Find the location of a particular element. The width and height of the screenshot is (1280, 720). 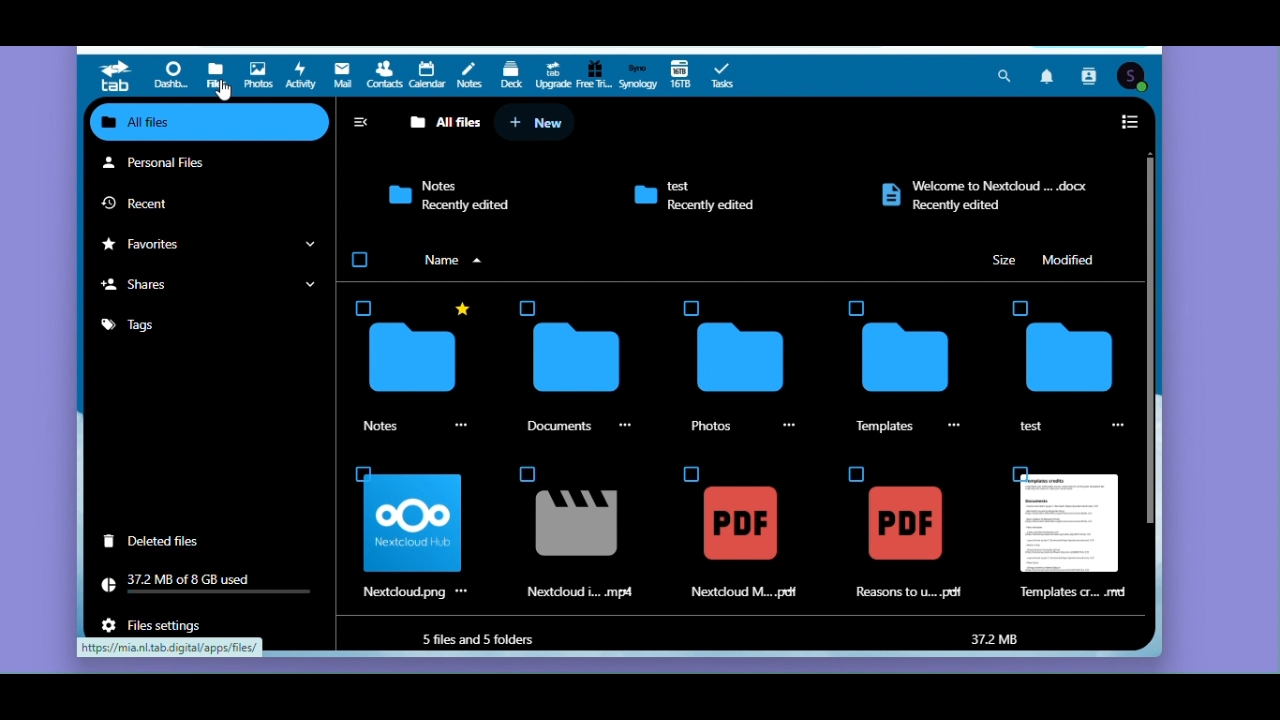

photos is located at coordinates (751, 362).